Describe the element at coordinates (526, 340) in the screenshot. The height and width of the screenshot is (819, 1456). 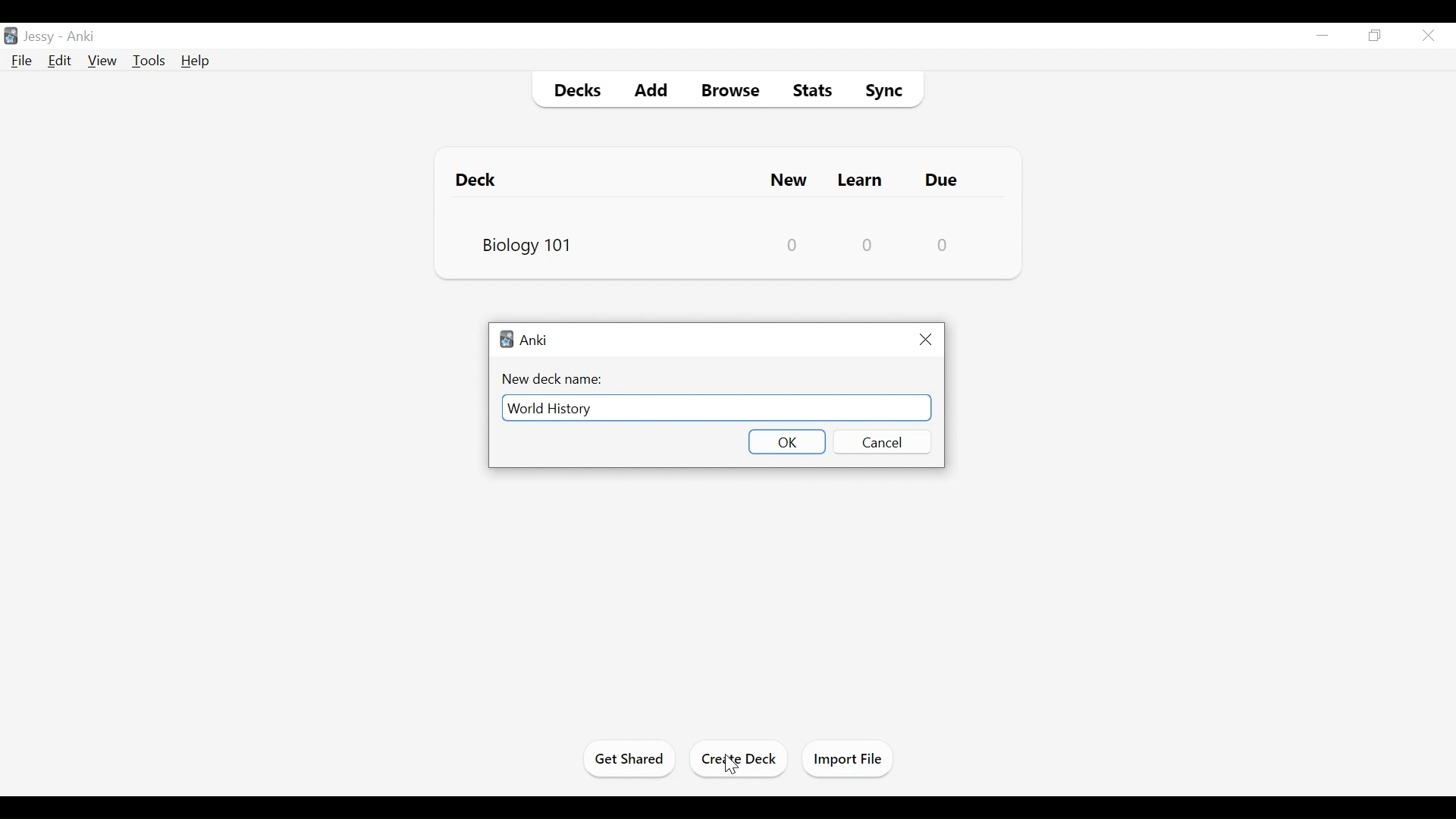
I see `Anki` at that location.